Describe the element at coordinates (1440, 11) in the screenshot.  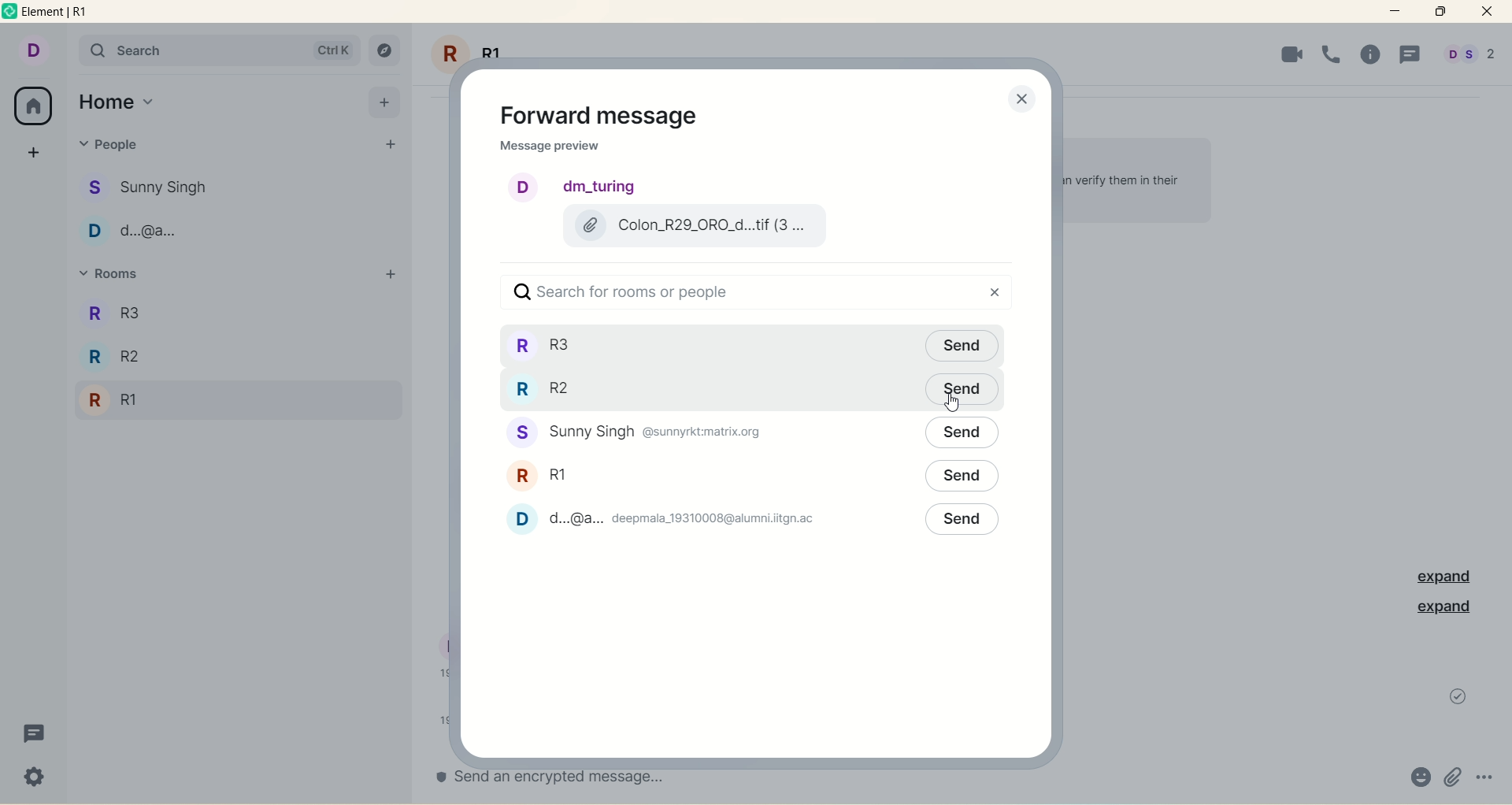
I see `maximize` at that location.